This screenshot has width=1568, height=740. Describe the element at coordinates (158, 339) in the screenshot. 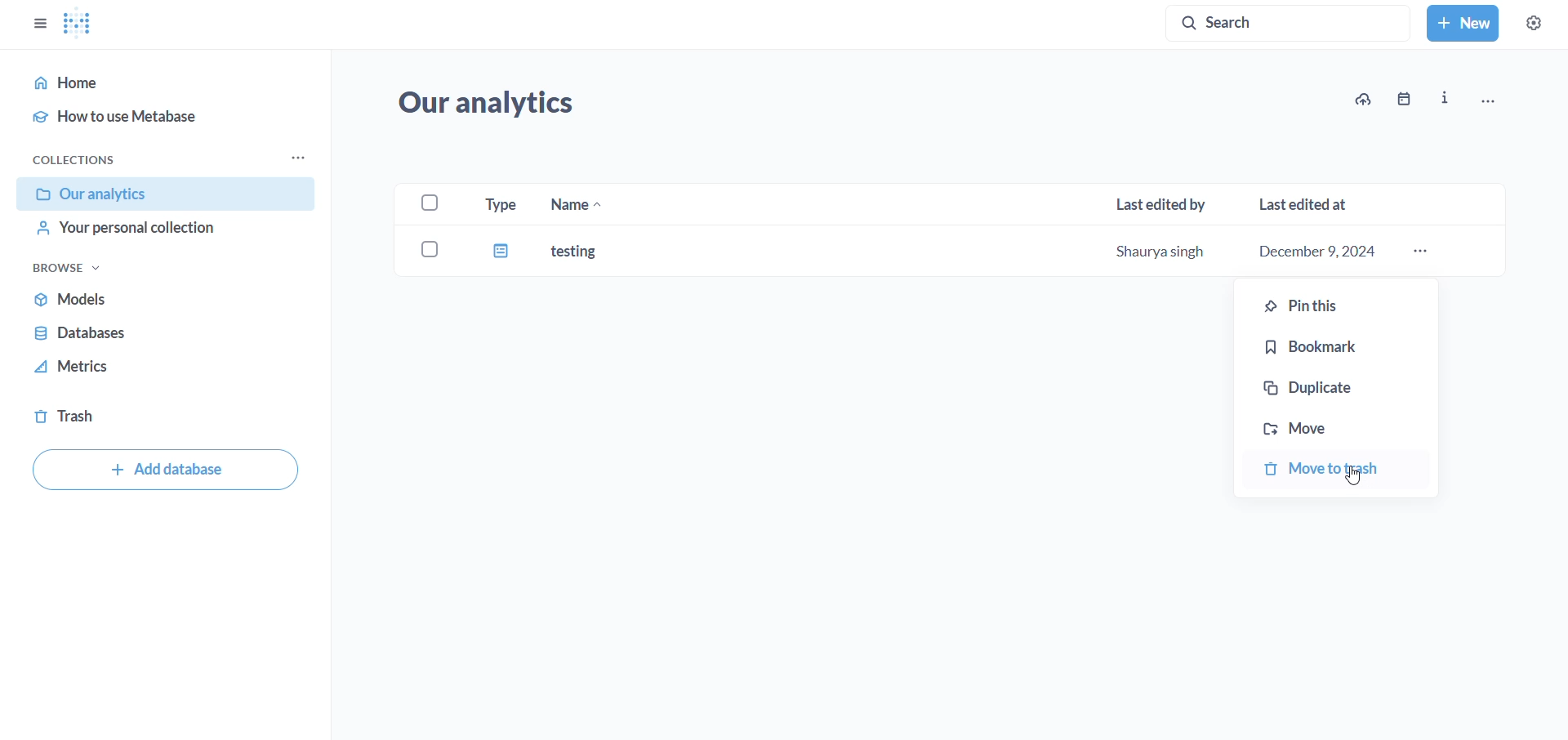

I see `databases` at that location.